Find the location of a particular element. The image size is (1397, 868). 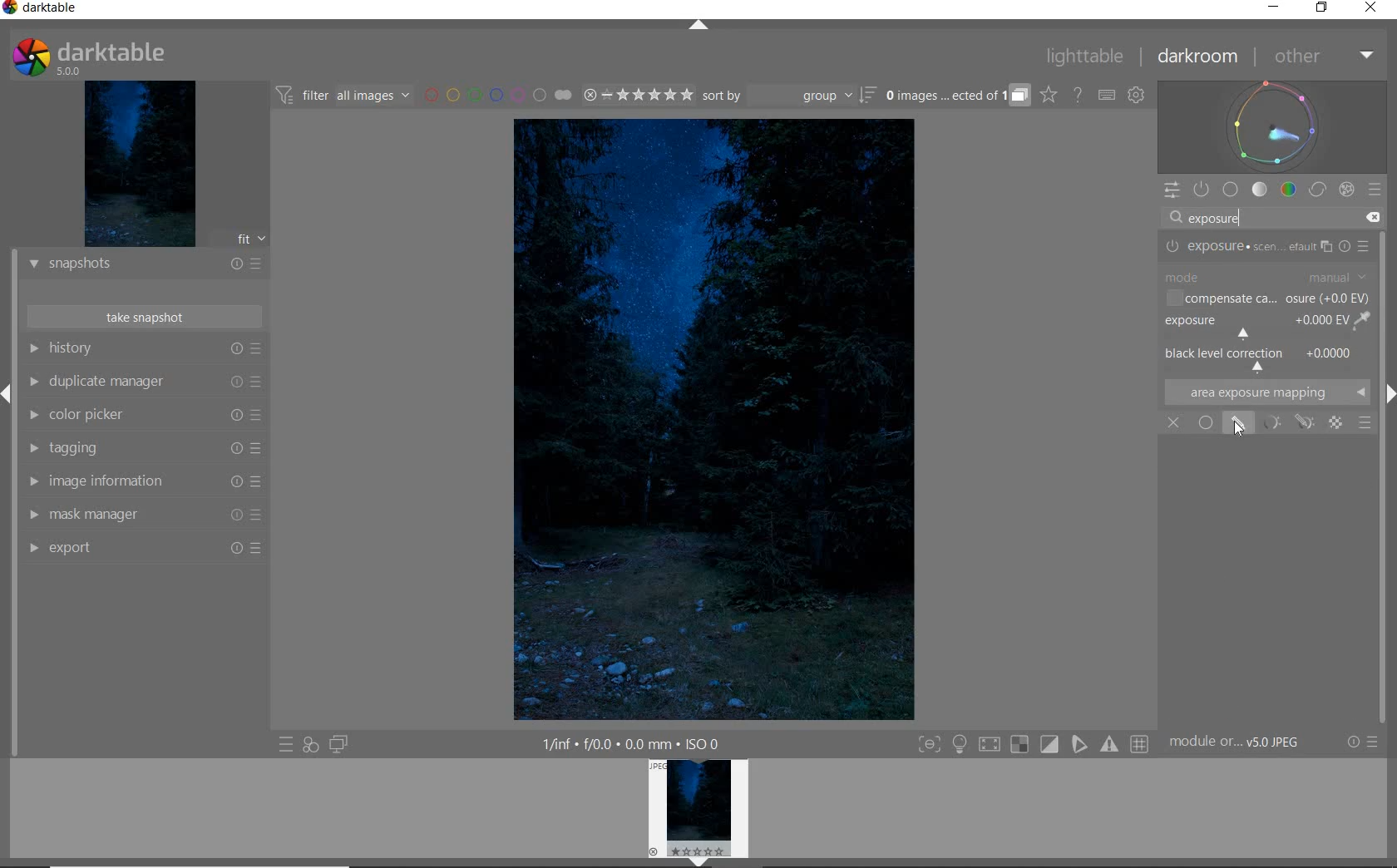

CLICK TO CHANGE THE OVERLAYS SHOWN ON THUMBNAILS is located at coordinates (1049, 95).